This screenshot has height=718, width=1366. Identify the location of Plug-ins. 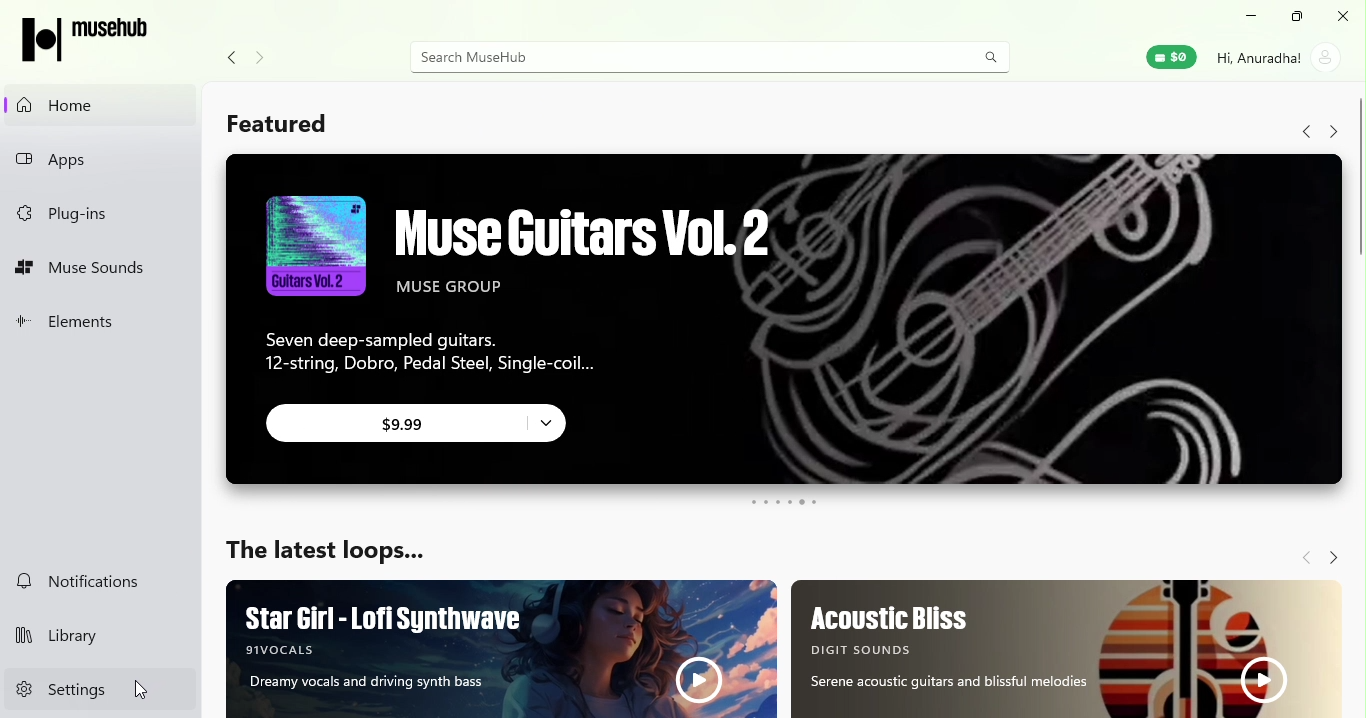
(103, 213).